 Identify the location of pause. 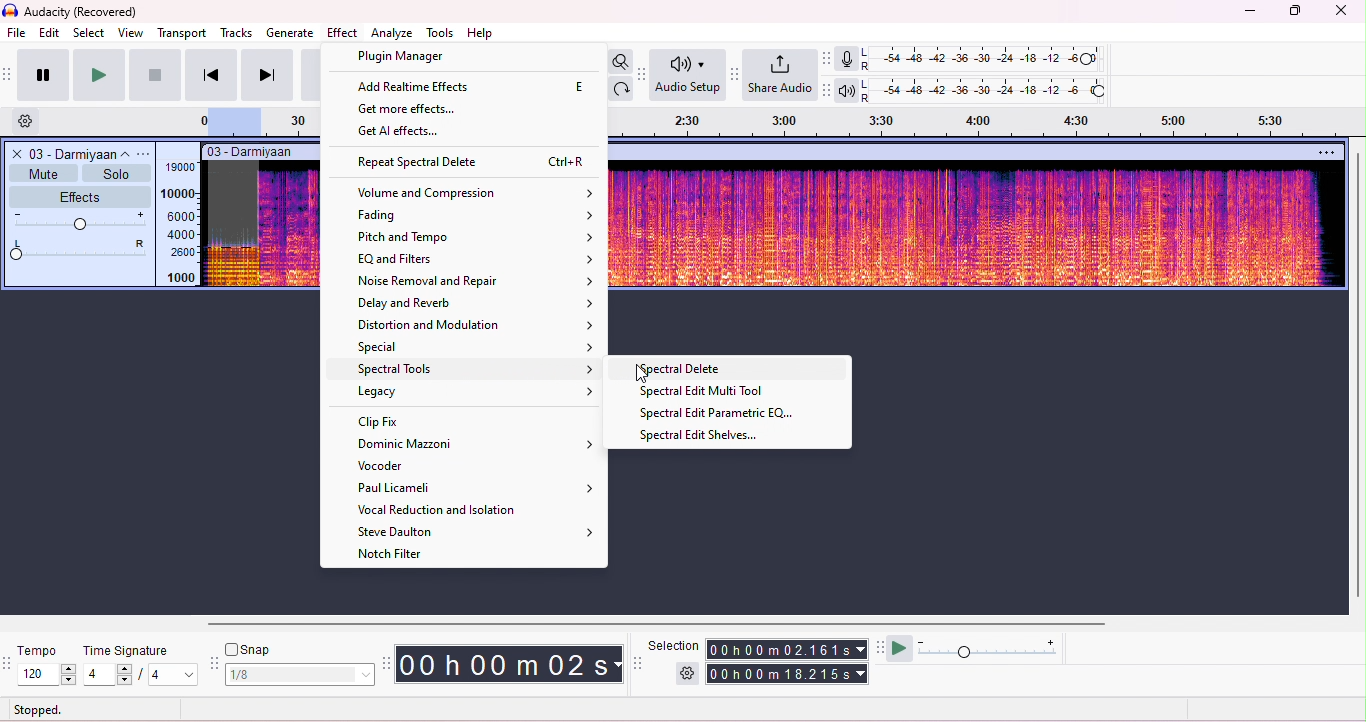
(45, 74).